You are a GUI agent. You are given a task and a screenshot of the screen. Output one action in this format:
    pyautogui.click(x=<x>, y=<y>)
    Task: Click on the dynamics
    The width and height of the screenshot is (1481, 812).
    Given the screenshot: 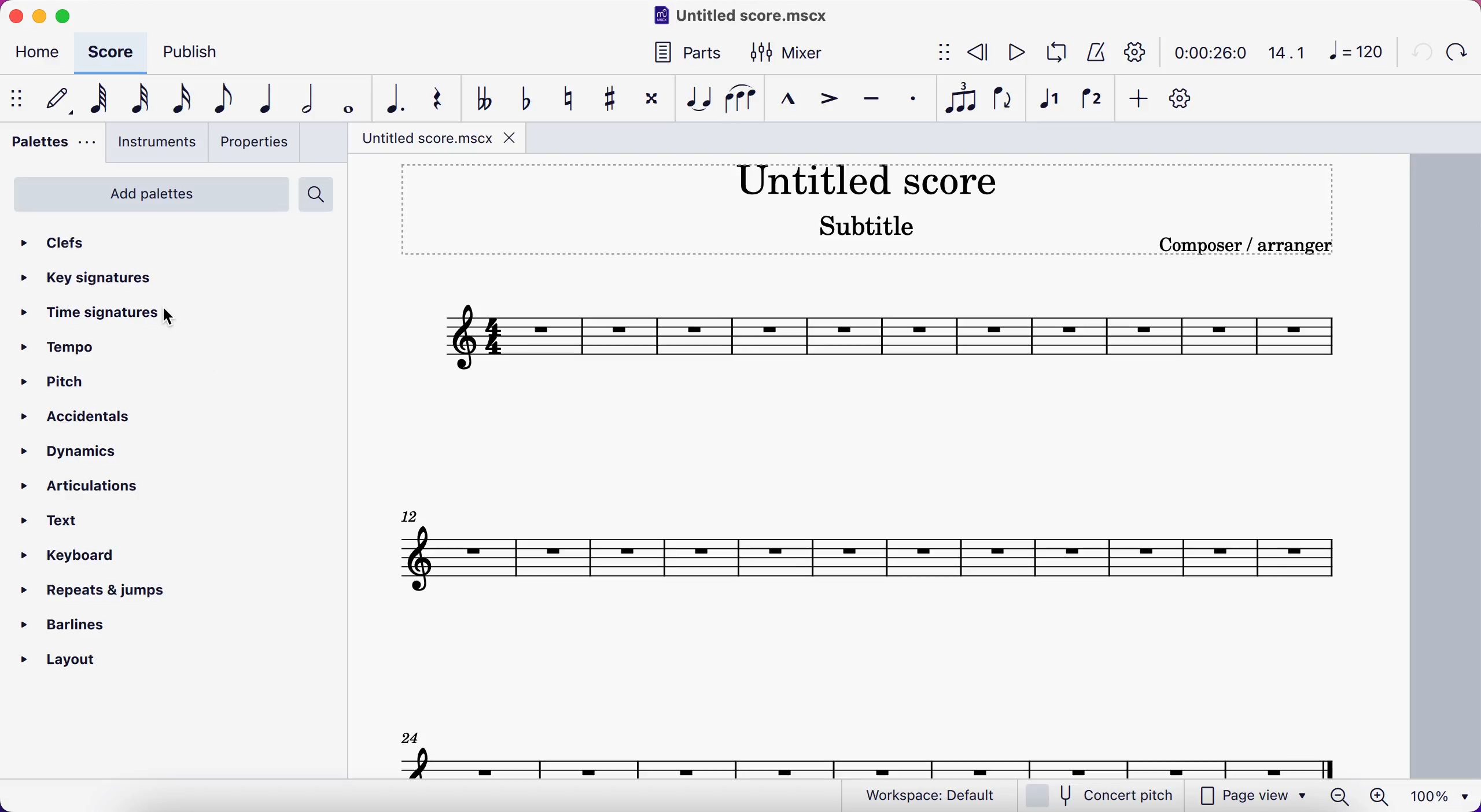 What is the action you would take?
    pyautogui.click(x=83, y=451)
    